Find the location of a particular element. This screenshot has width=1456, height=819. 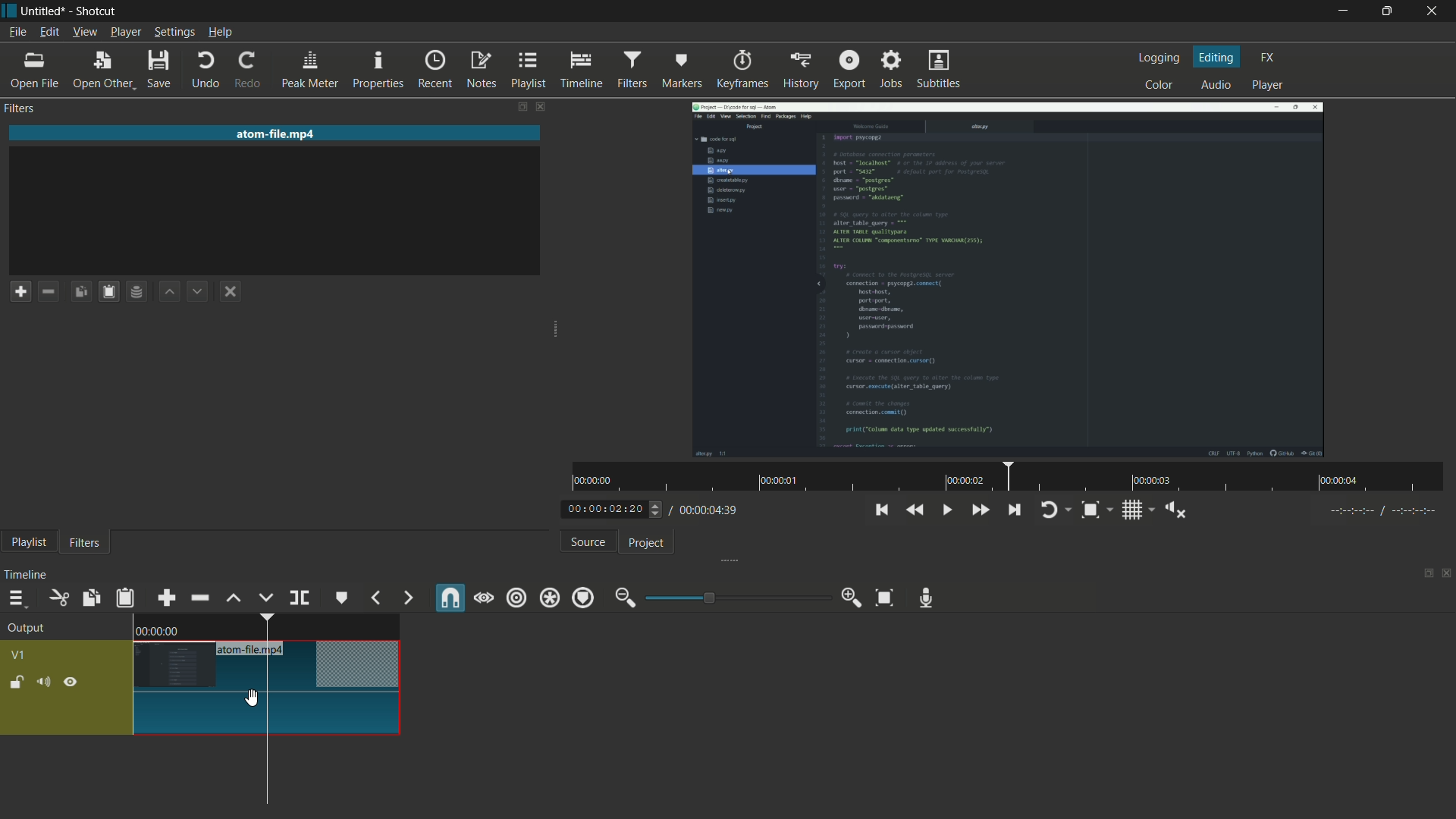

close timeline is located at coordinates (1447, 576).